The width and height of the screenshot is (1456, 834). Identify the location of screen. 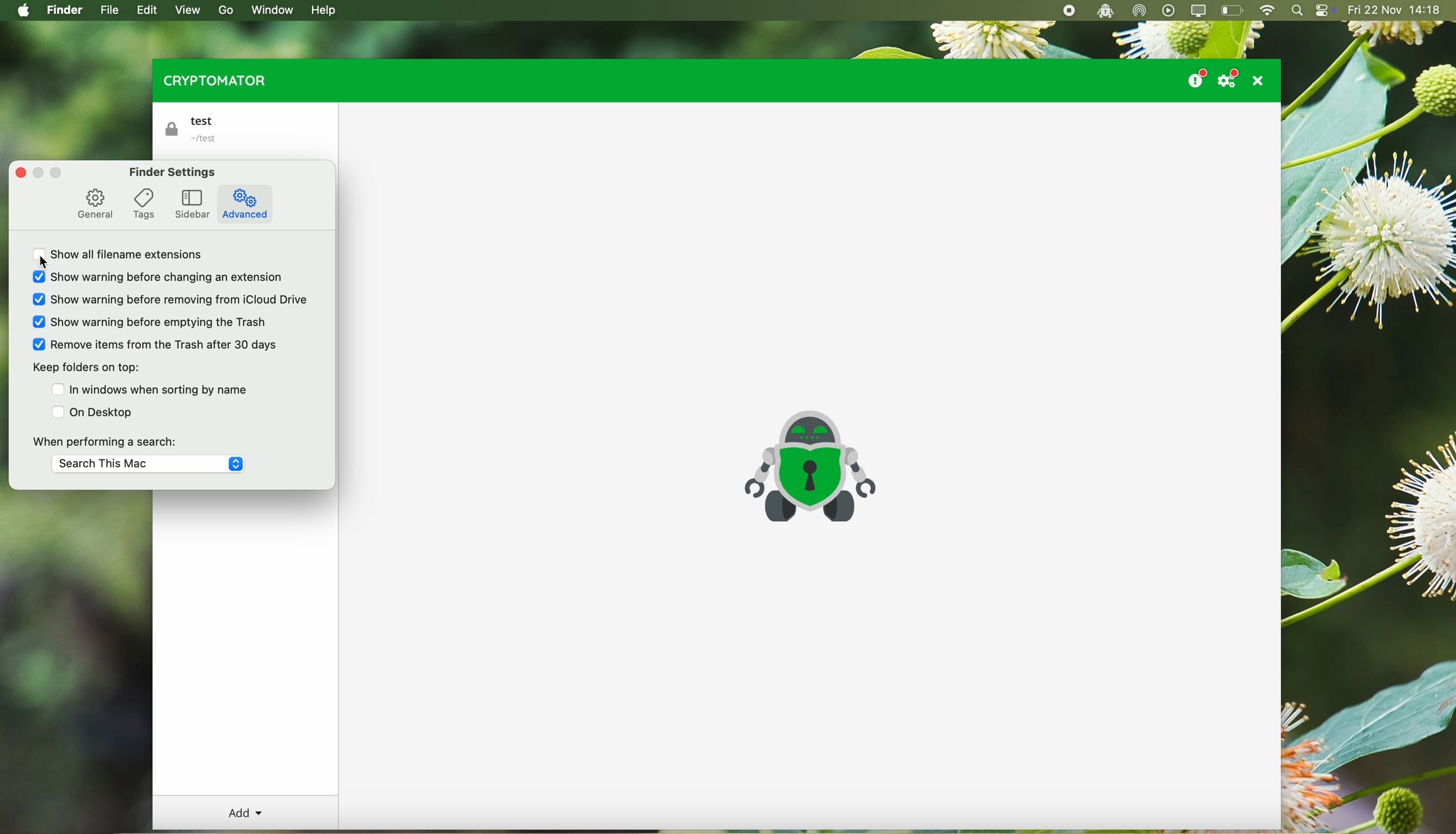
(1200, 11).